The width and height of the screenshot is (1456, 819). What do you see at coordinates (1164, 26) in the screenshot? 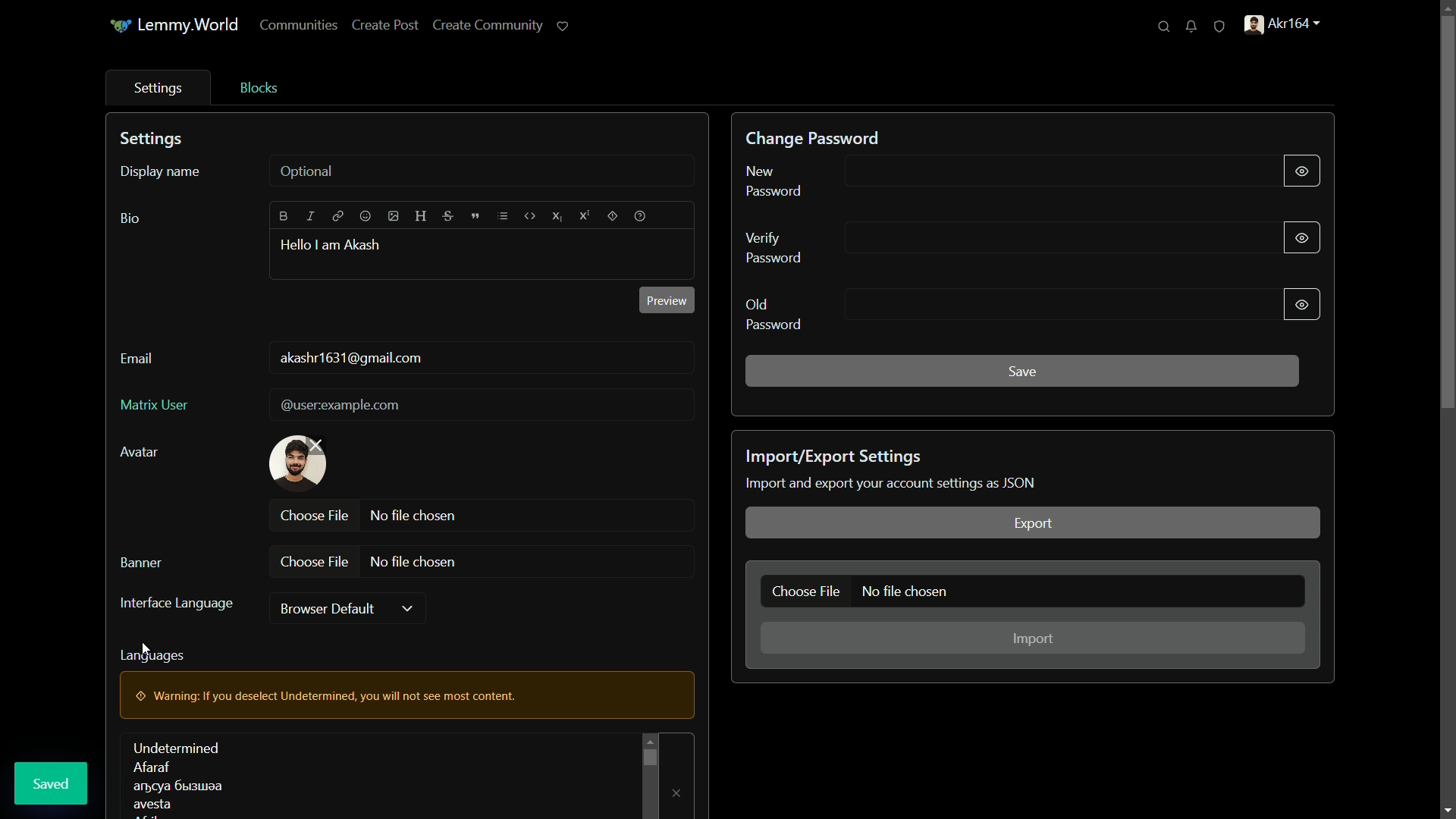
I see `search` at bounding box center [1164, 26].